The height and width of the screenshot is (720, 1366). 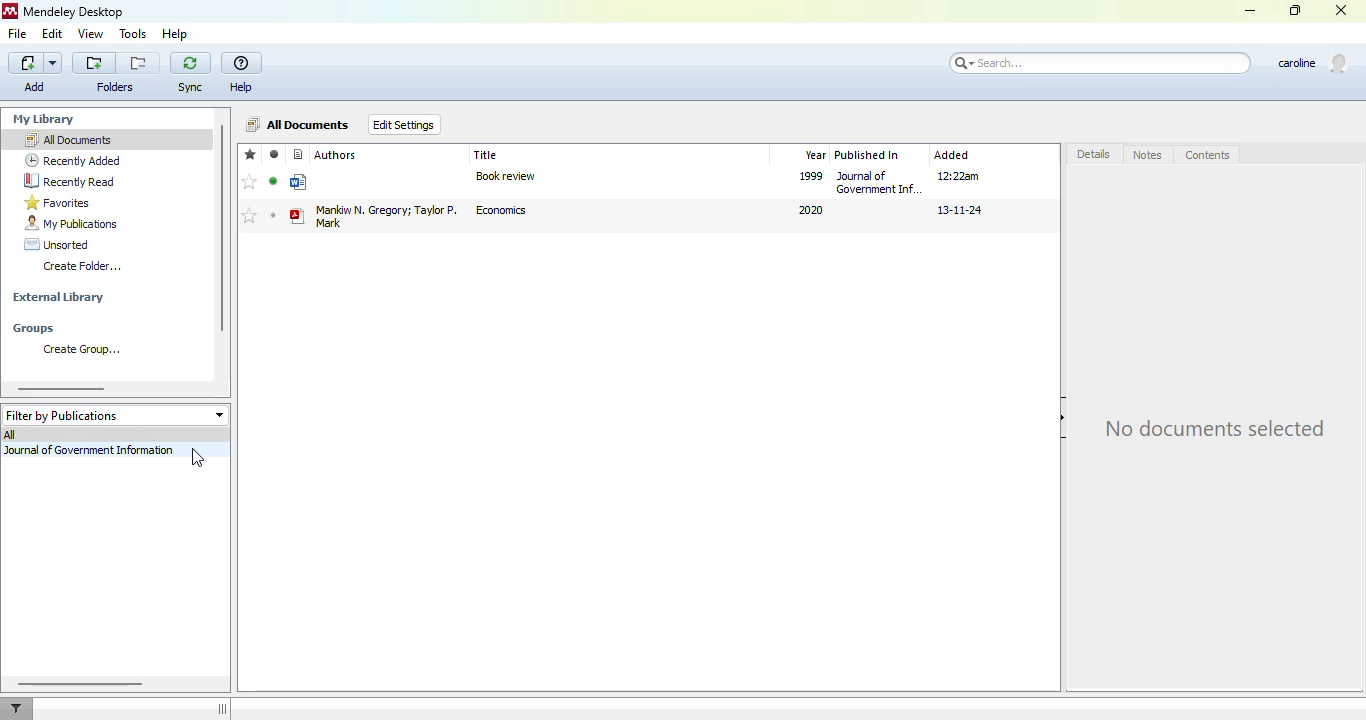 What do you see at coordinates (336, 155) in the screenshot?
I see `authors` at bounding box center [336, 155].